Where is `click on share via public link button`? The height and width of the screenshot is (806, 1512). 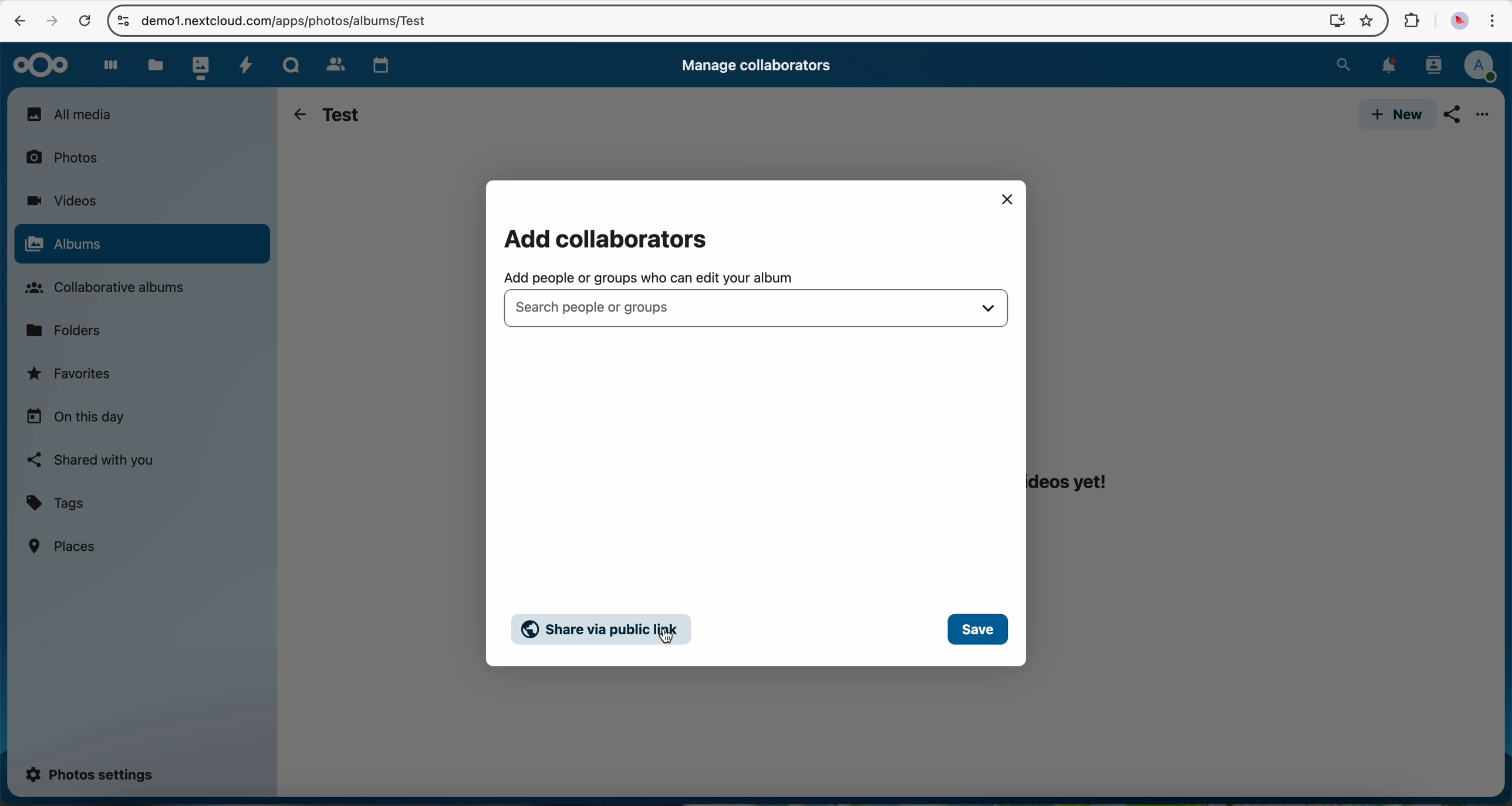 click on share via public link button is located at coordinates (604, 629).